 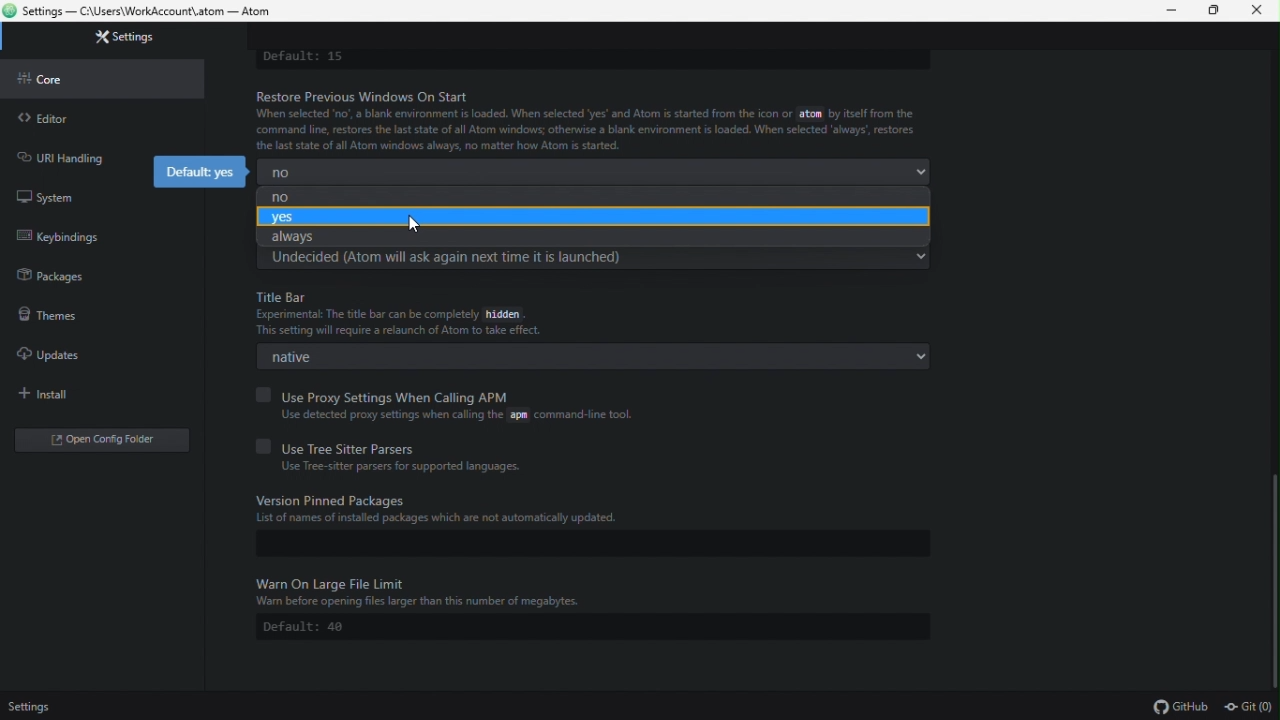 I want to click on Use Tree-sitter parsers for supported languages., so click(x=394, y=469).